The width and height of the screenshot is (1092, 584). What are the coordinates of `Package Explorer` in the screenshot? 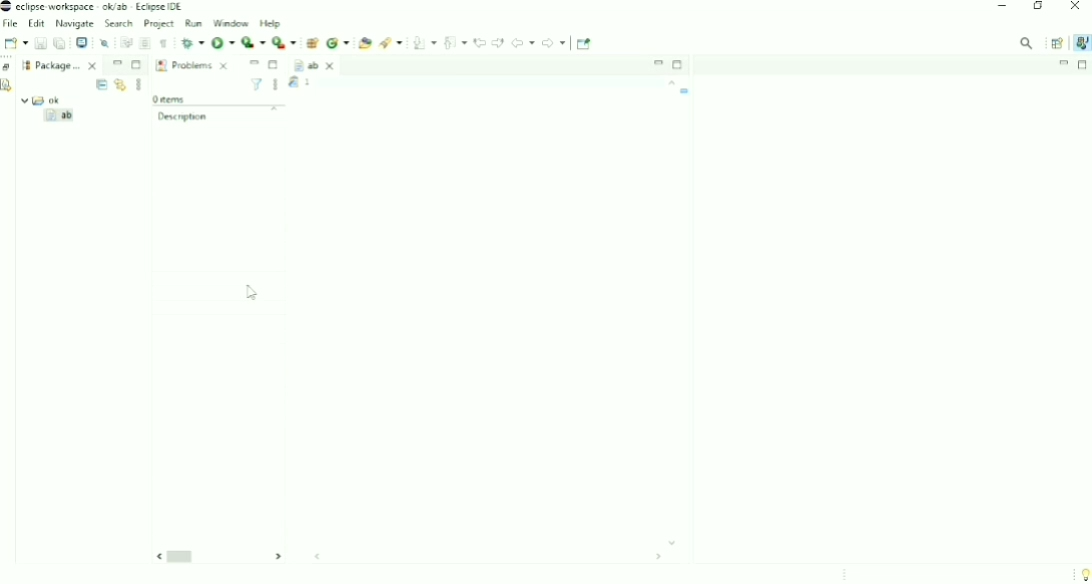 It's located at (68, 65).